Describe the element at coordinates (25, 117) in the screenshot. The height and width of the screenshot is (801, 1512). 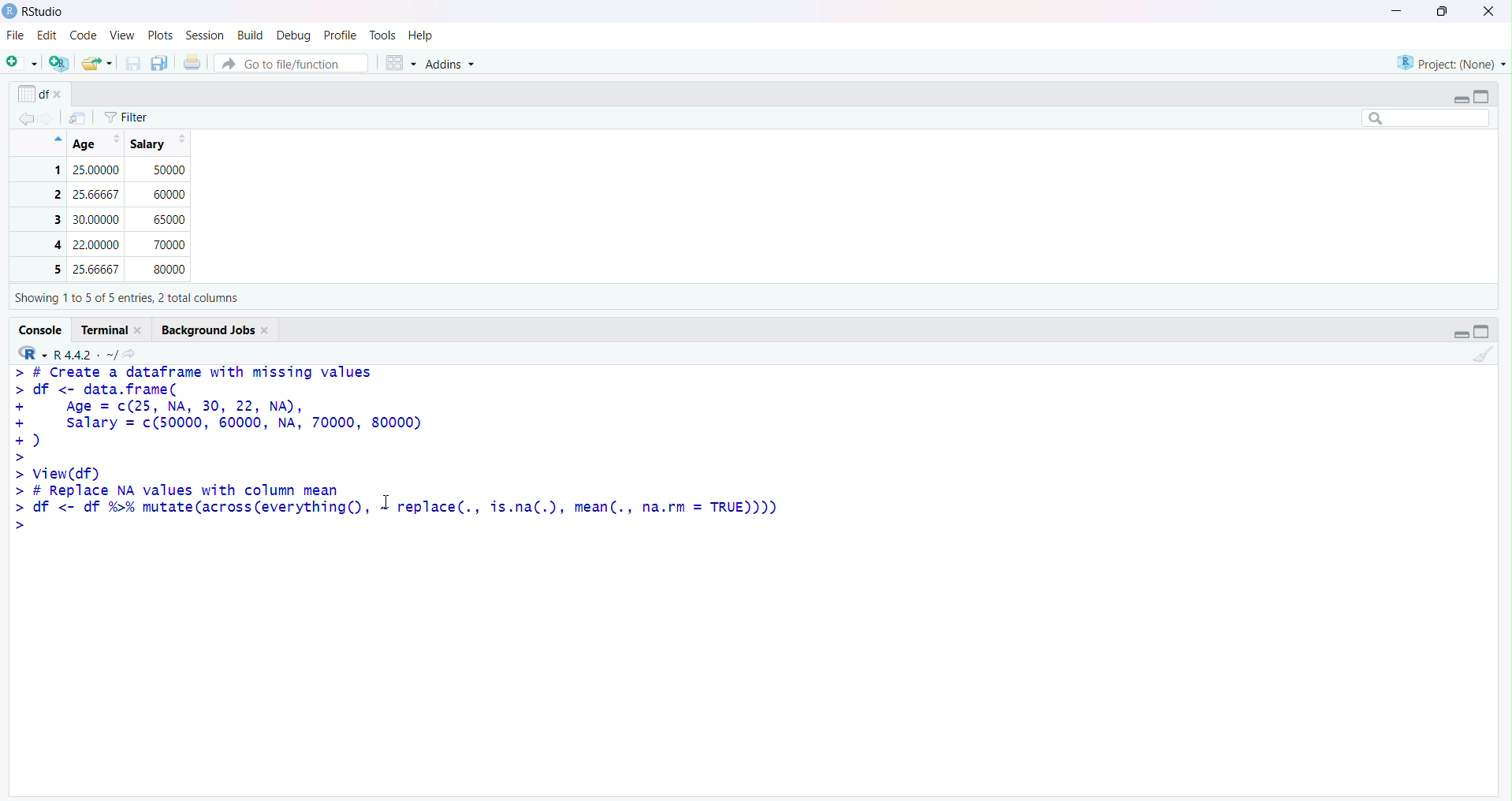
I see `Go back to the previous source location (Ctrl + F9)` at that location.